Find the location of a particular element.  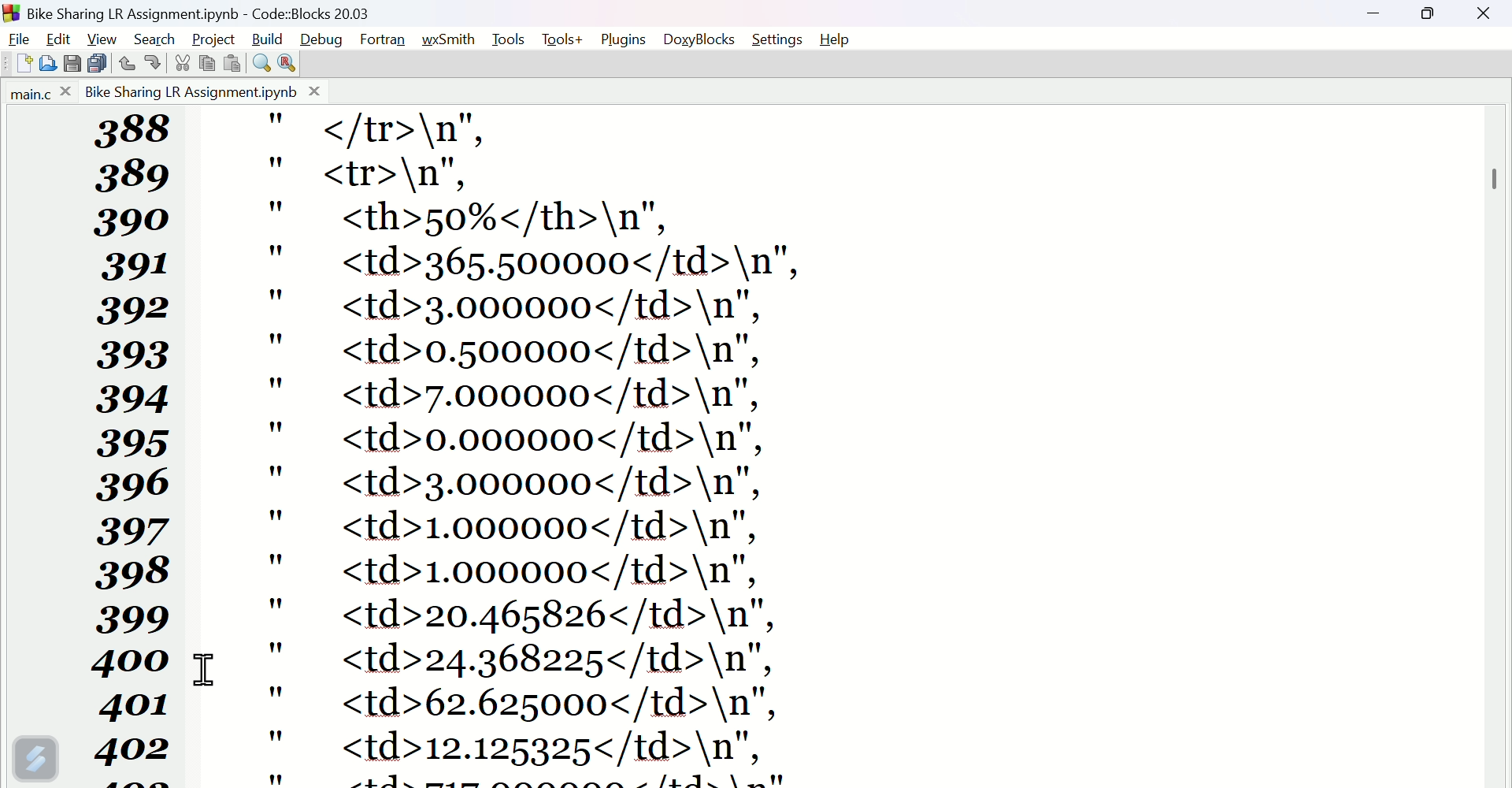

Scrollbar is located at coordinates (1496, 169).